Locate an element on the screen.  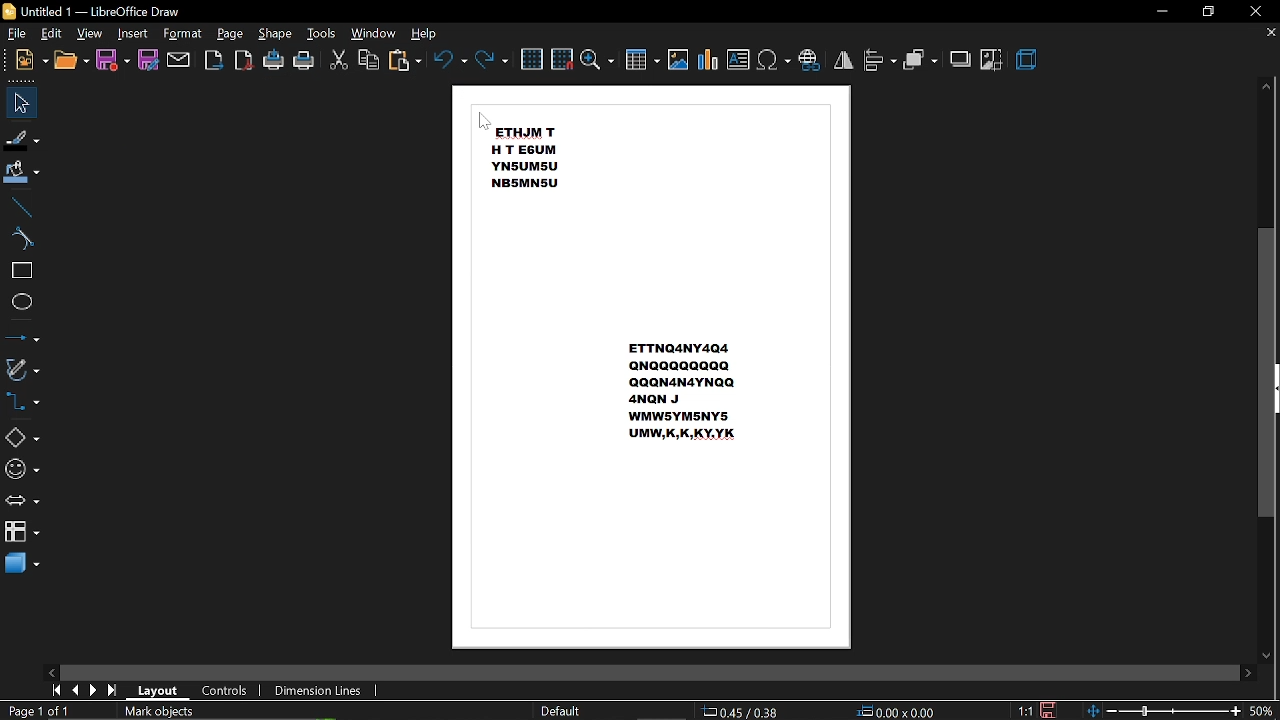
Page 1 of 1 is located at coordinates (36, 710).